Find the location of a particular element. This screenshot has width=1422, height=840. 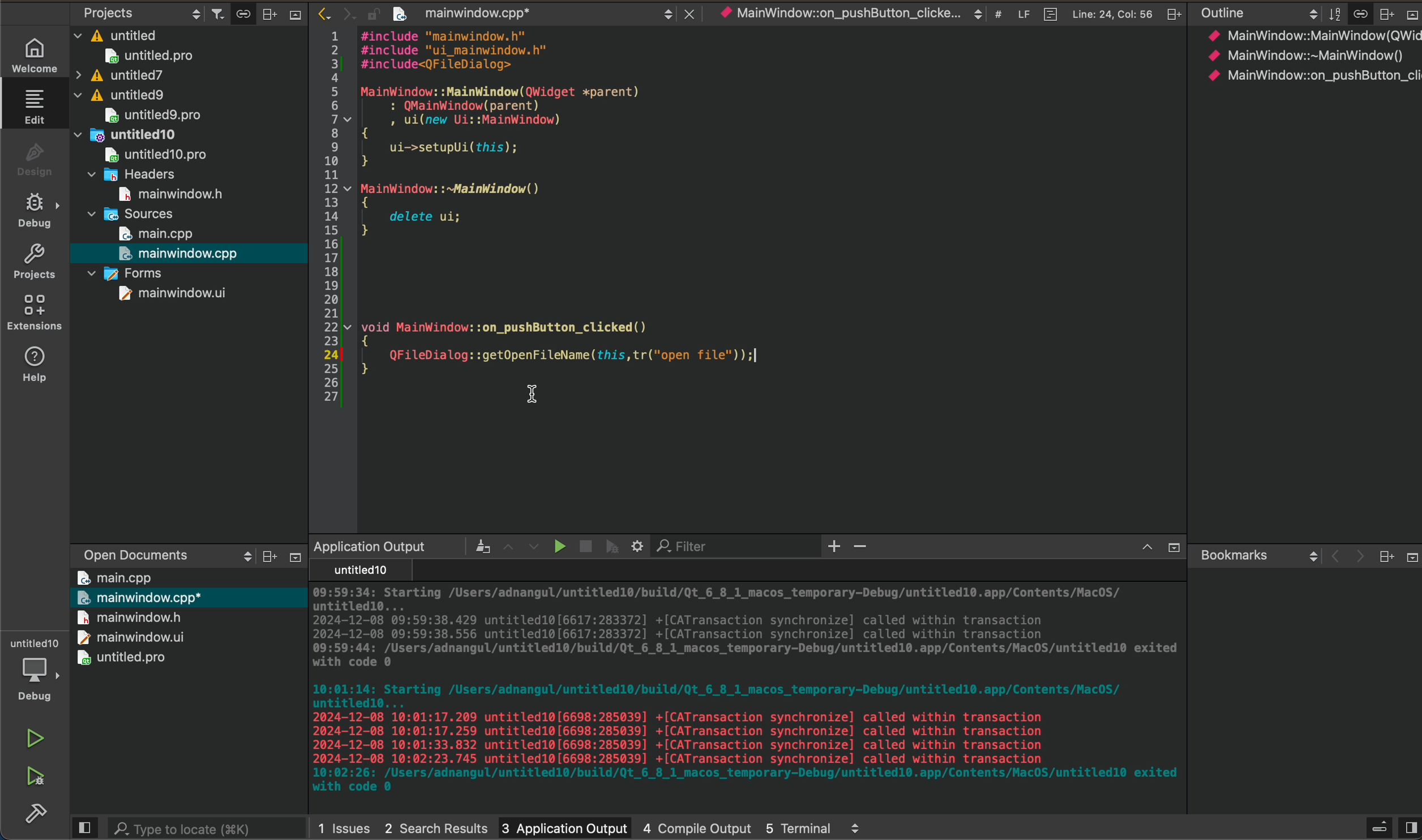

MainWindow::on is located at coordinates (838, 15).